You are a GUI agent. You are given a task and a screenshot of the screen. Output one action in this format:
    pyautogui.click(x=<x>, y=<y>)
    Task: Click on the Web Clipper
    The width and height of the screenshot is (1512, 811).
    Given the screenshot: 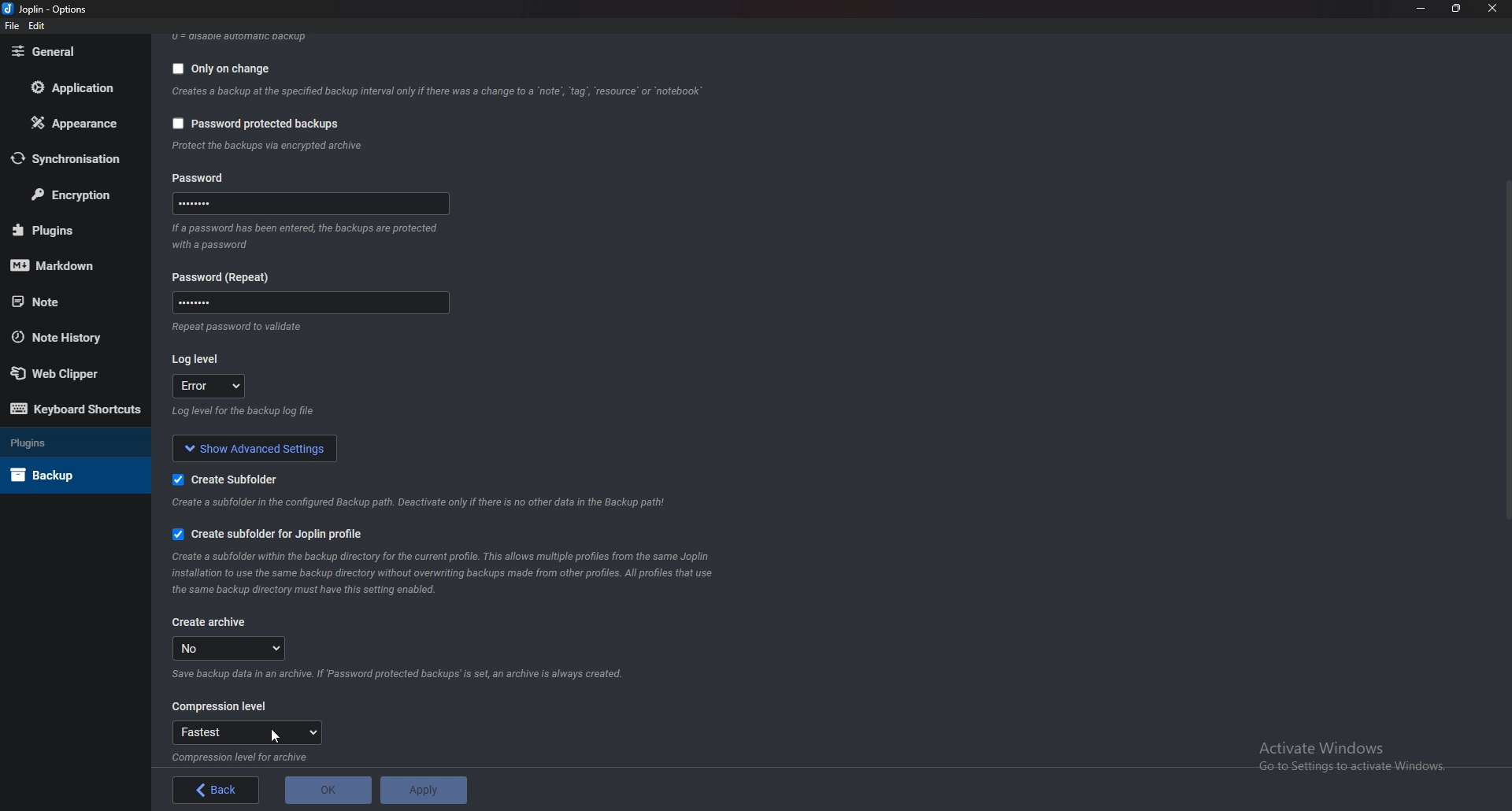 What is the action you would take?
    pyautogui.click(x=61, y=374)
    